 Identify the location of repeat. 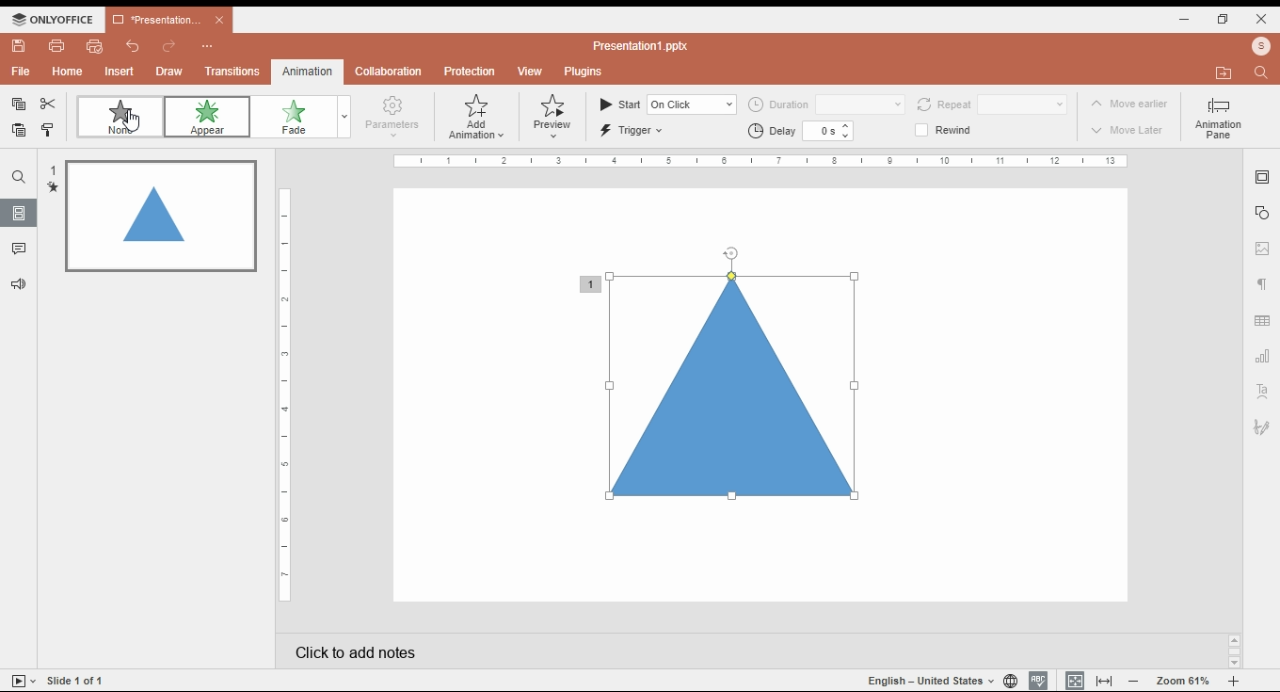
(990, 105).